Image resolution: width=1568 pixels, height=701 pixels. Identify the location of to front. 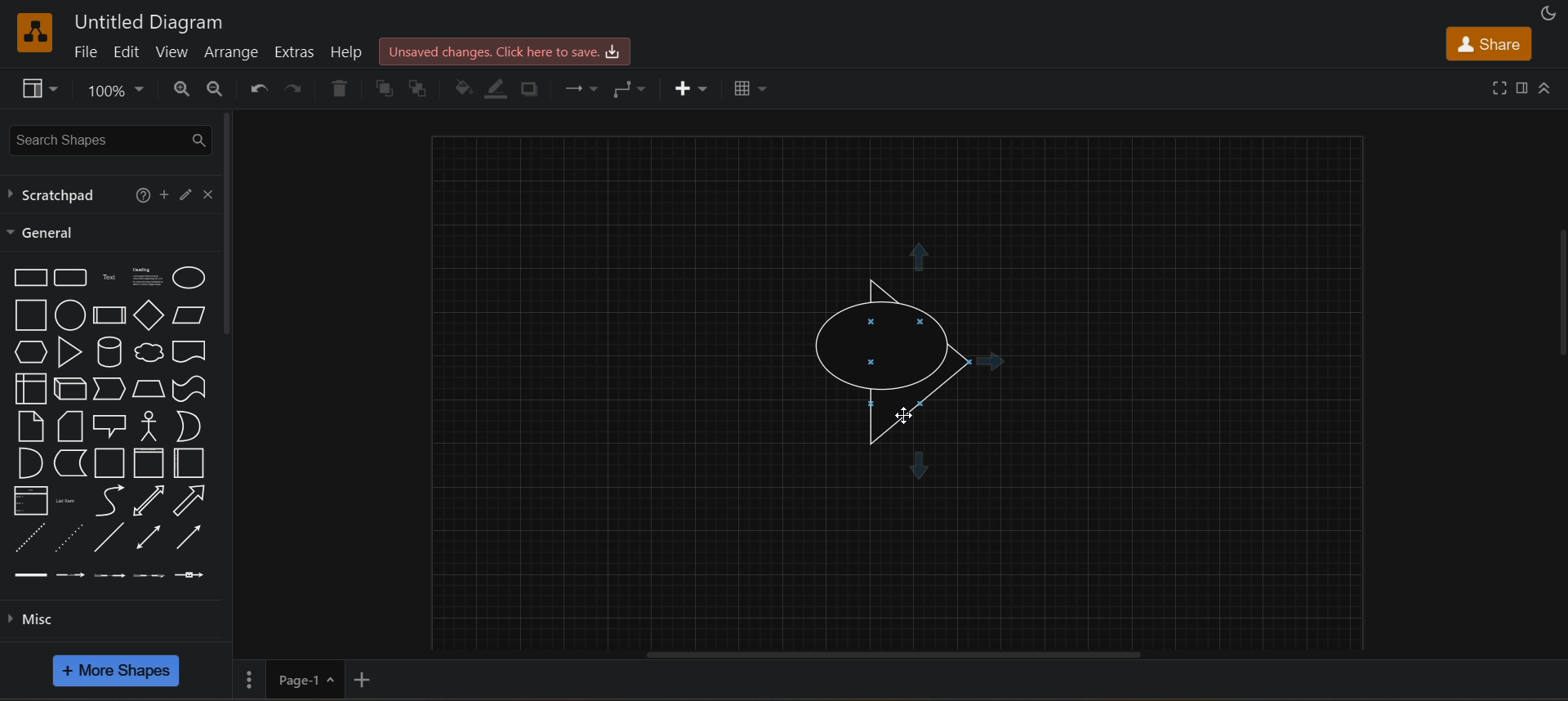
(385, 88).